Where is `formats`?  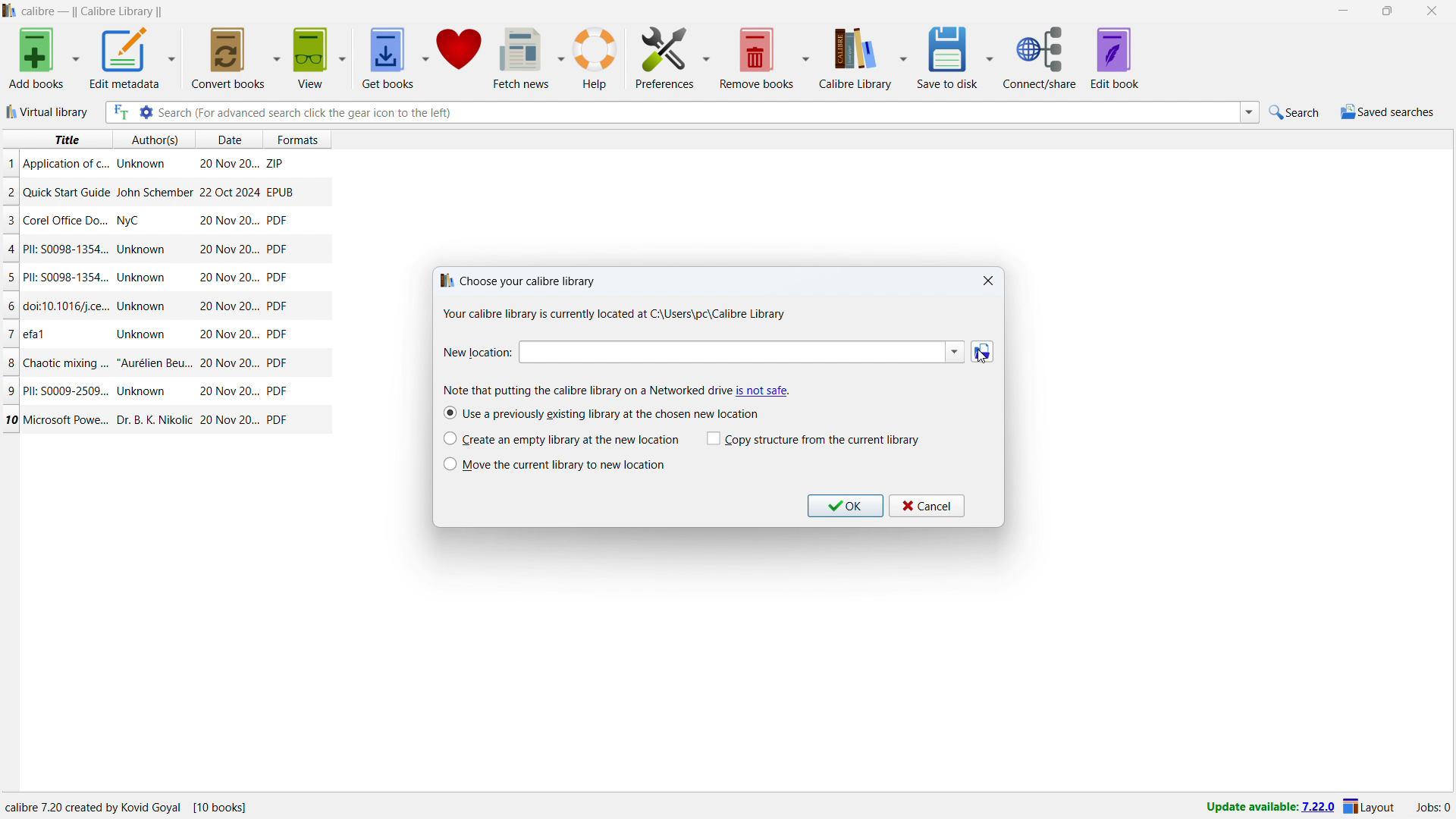
formats is located at coordinates (304, 137).